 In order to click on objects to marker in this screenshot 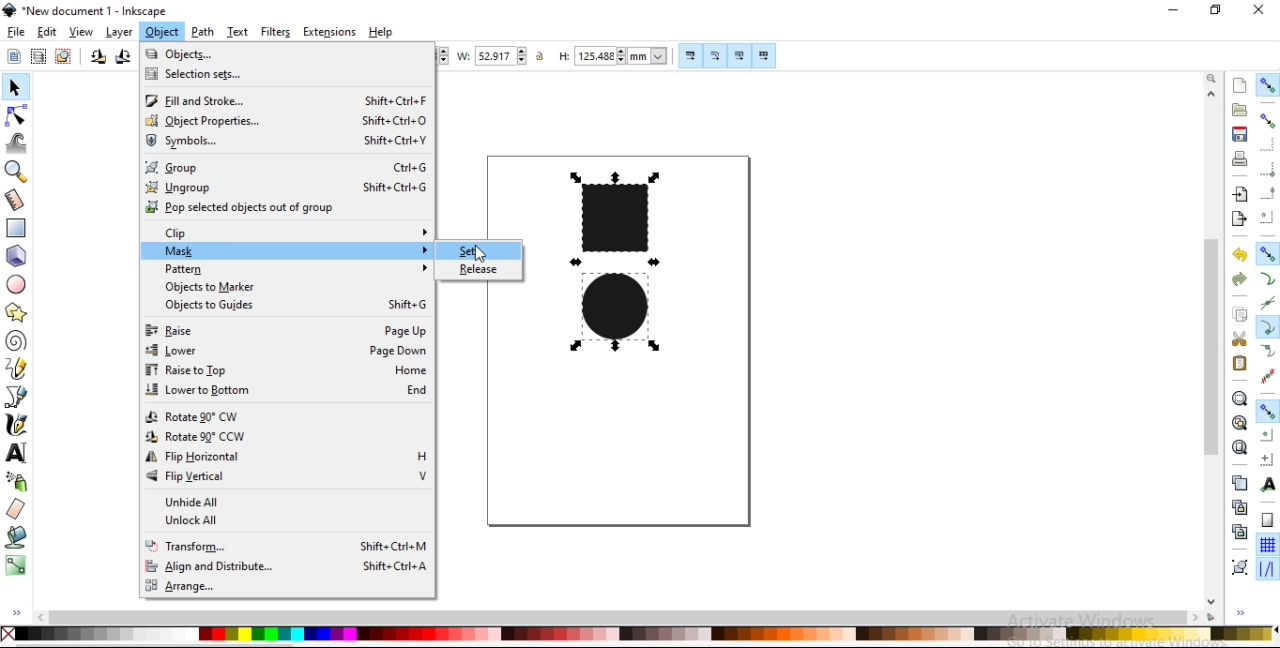, I will do `click(289, 288)`.